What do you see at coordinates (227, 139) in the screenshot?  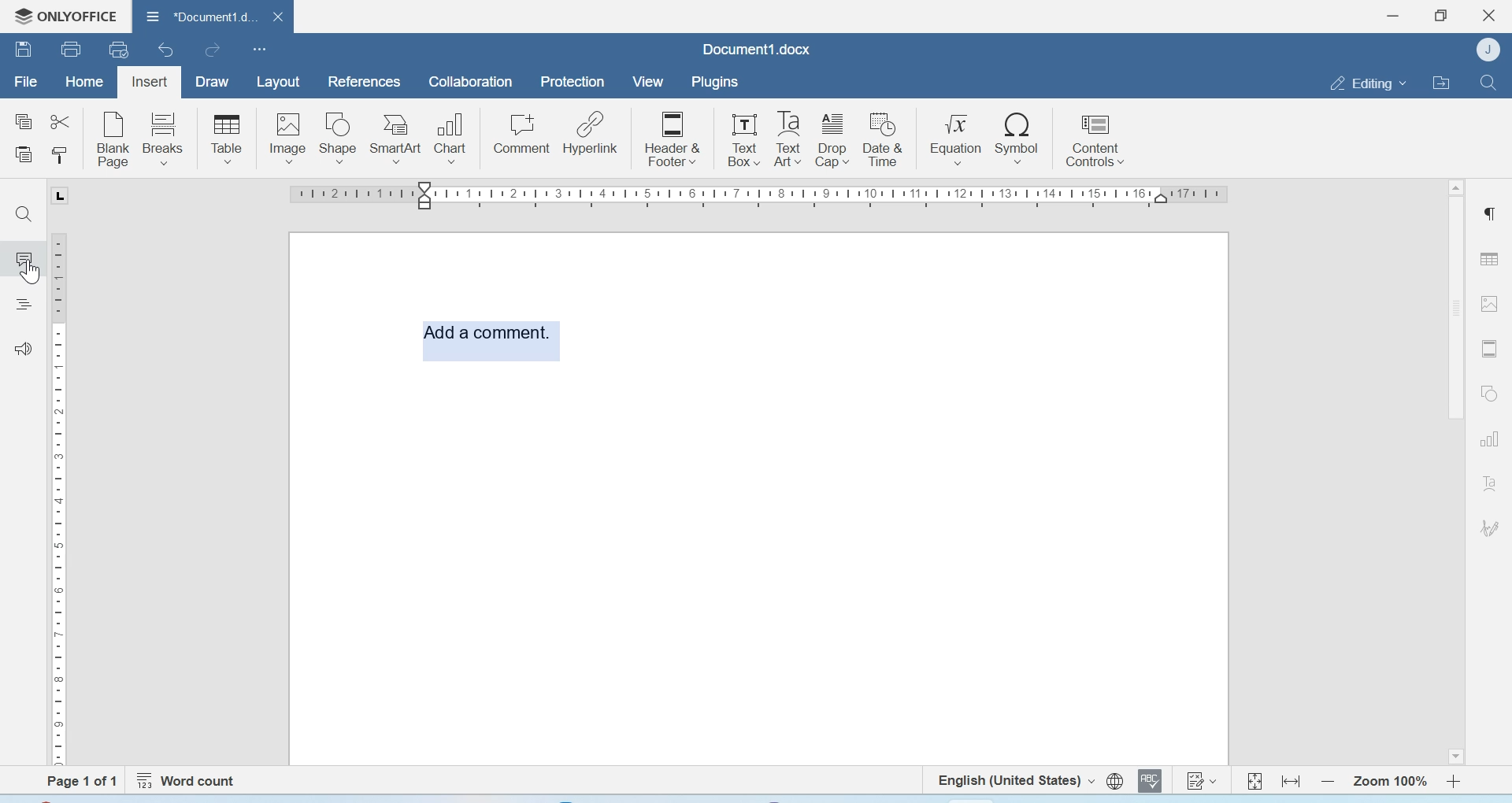 I see `Table` at bounding box center [227, 139].